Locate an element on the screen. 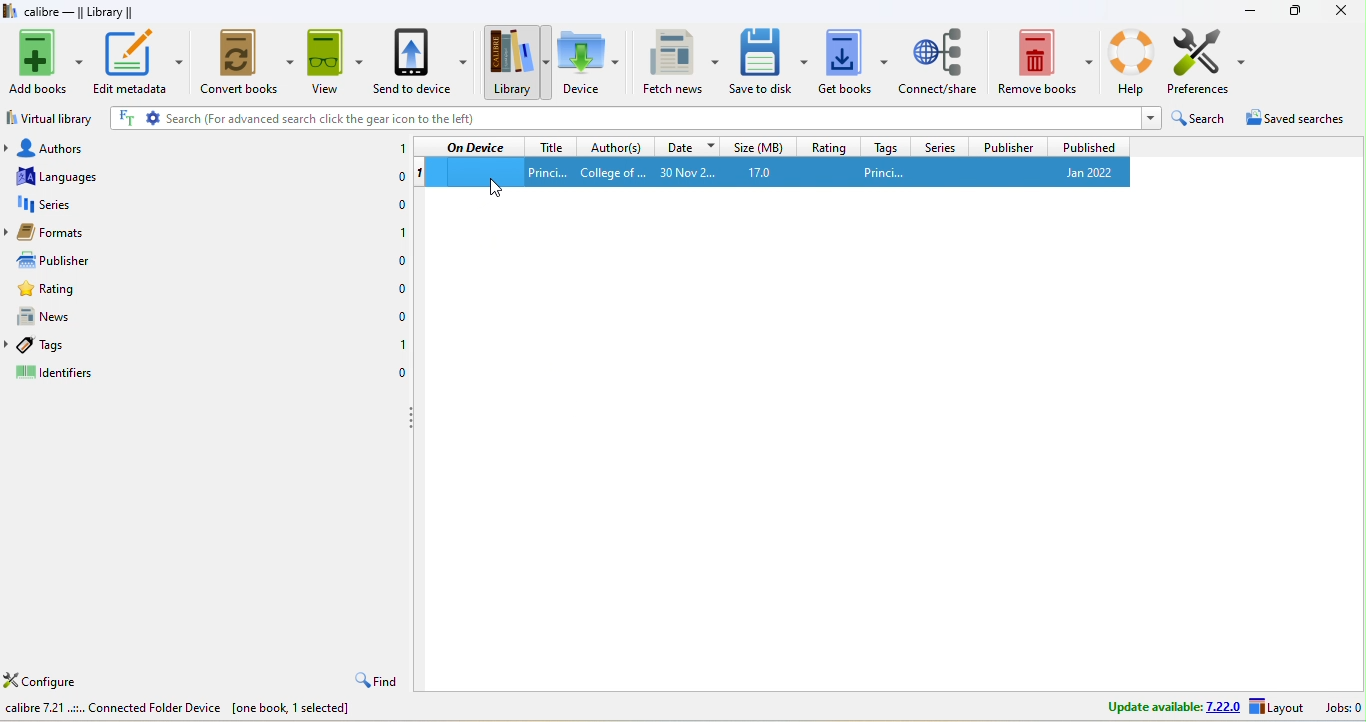 Image resolution: width=1366 pixels, height=722 pixels. 0 is located at coordinates (395, 206).